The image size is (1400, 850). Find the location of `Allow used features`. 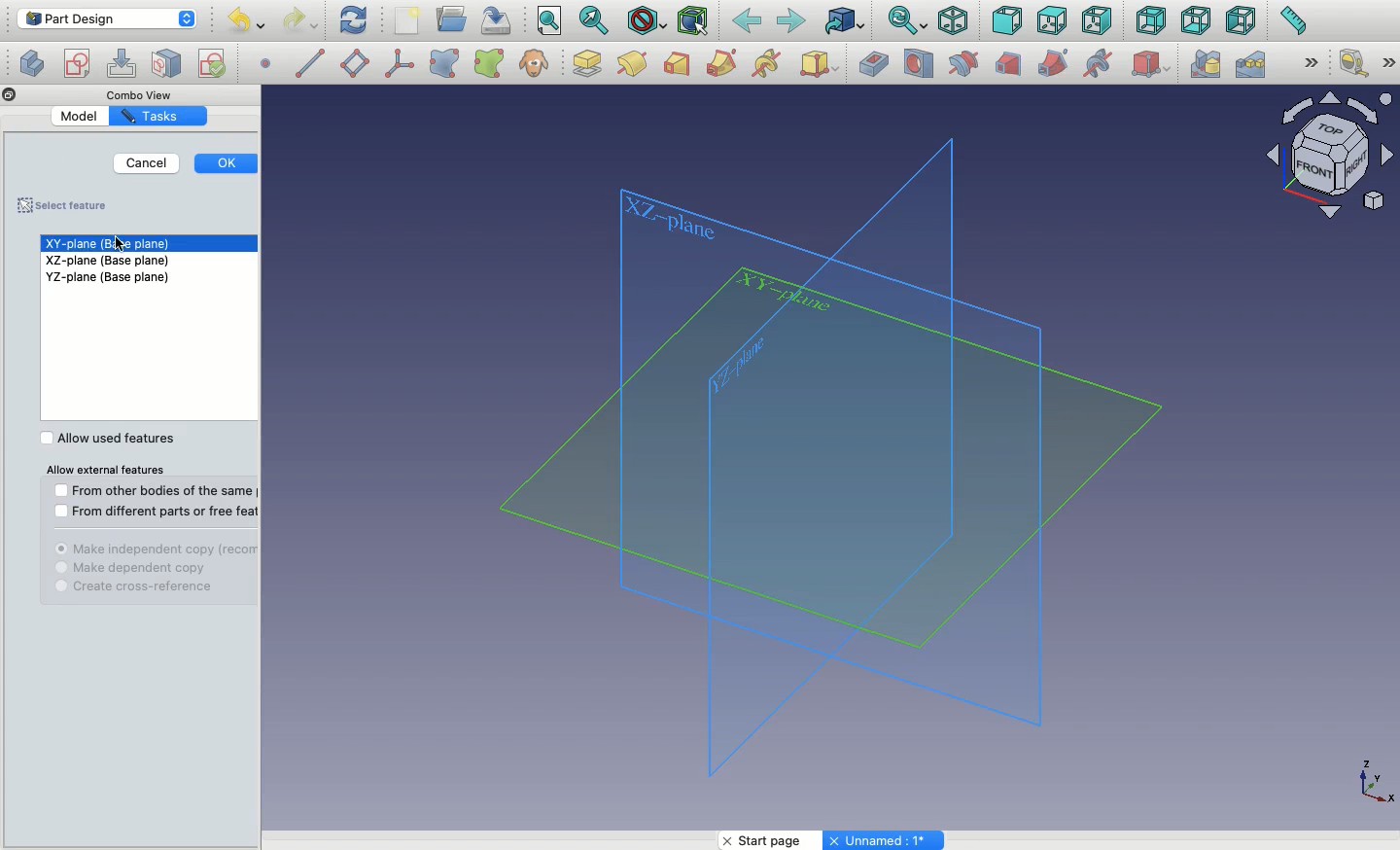

Allow used features is located at coordinates (118, 438).